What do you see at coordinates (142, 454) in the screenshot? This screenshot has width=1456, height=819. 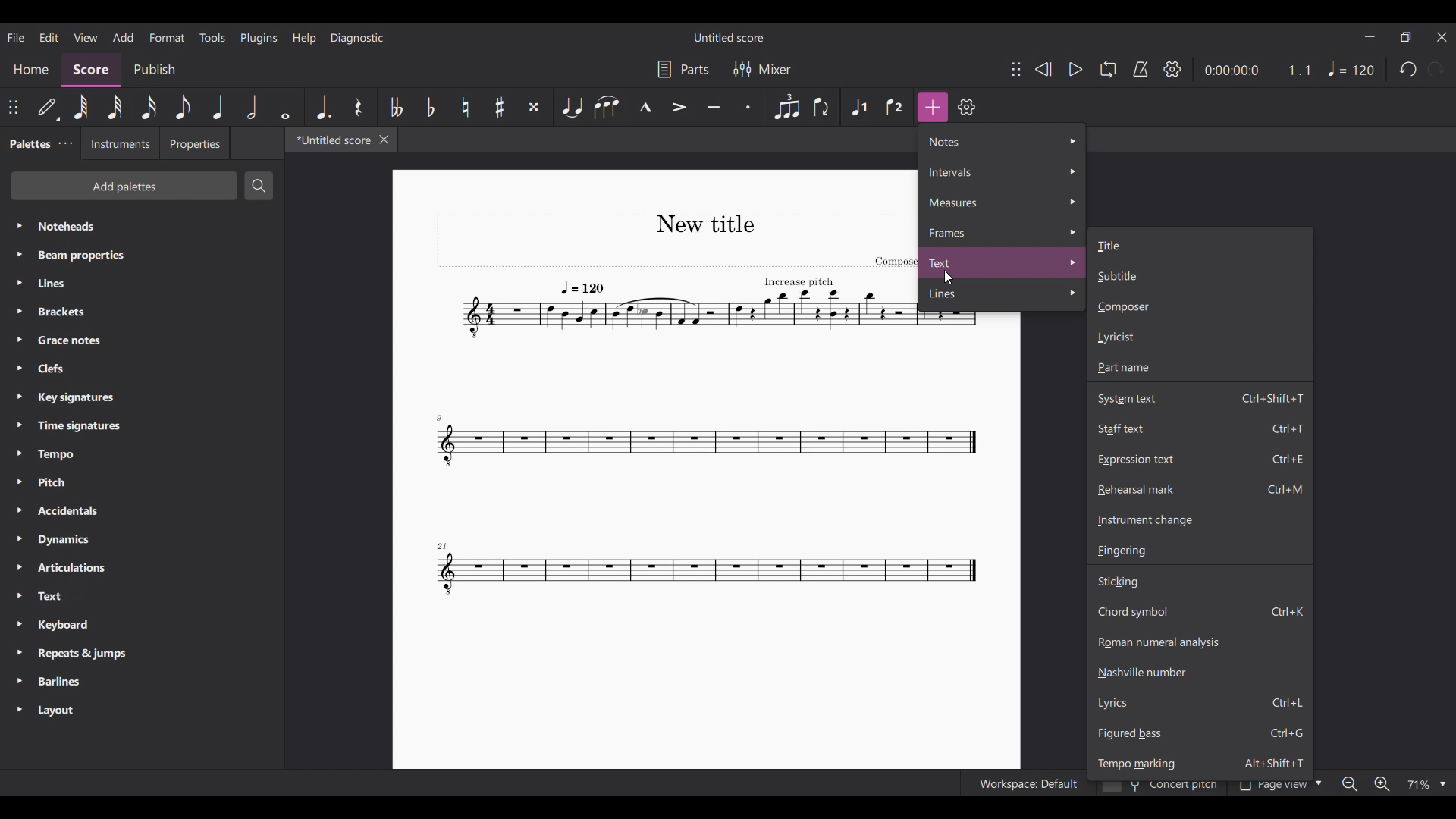 I see `Tempo` at bounding box center [142, 454].